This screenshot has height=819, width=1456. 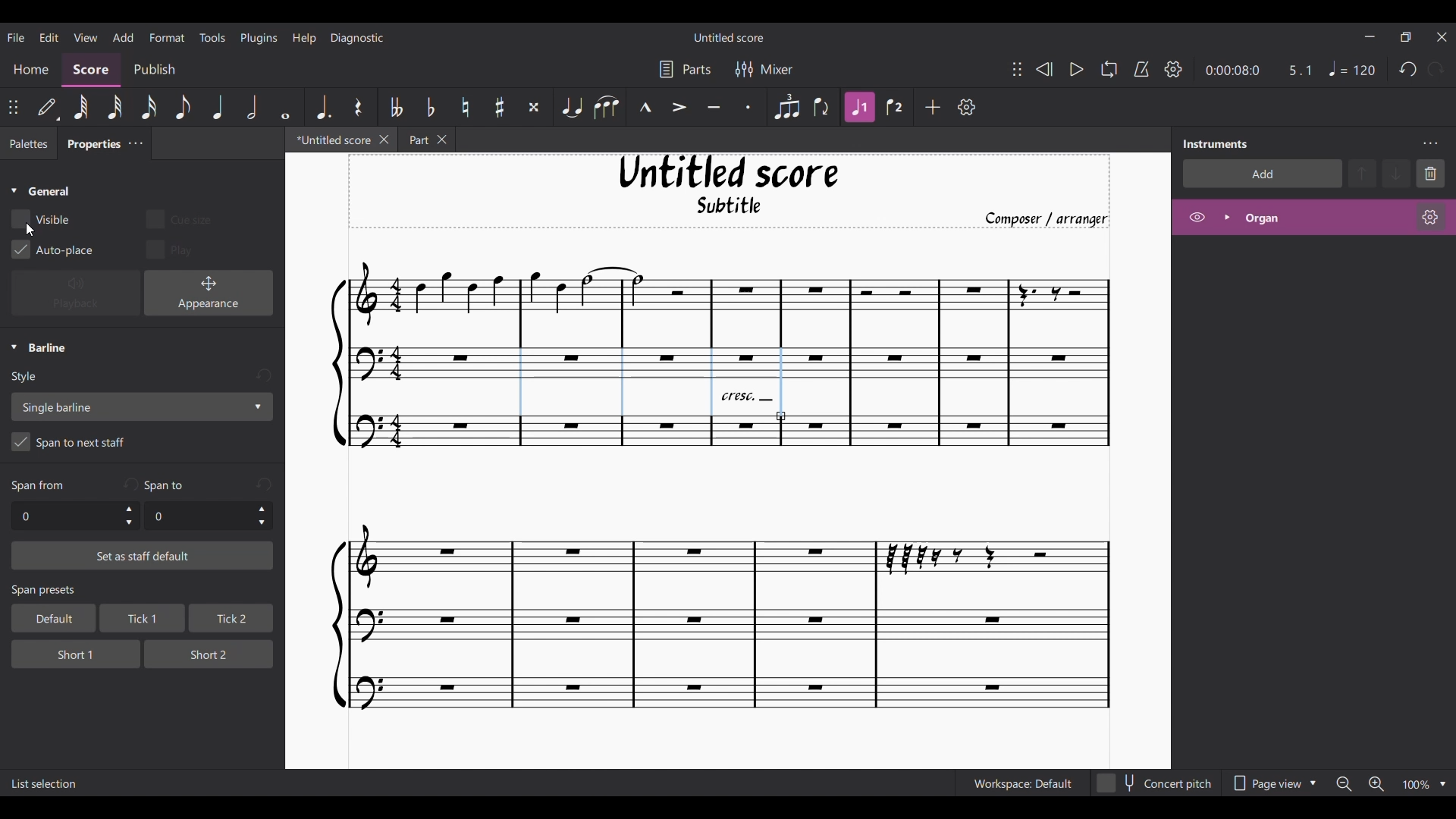 I want to click on Increase/Decrease Span from, so click(x=130, y=516).